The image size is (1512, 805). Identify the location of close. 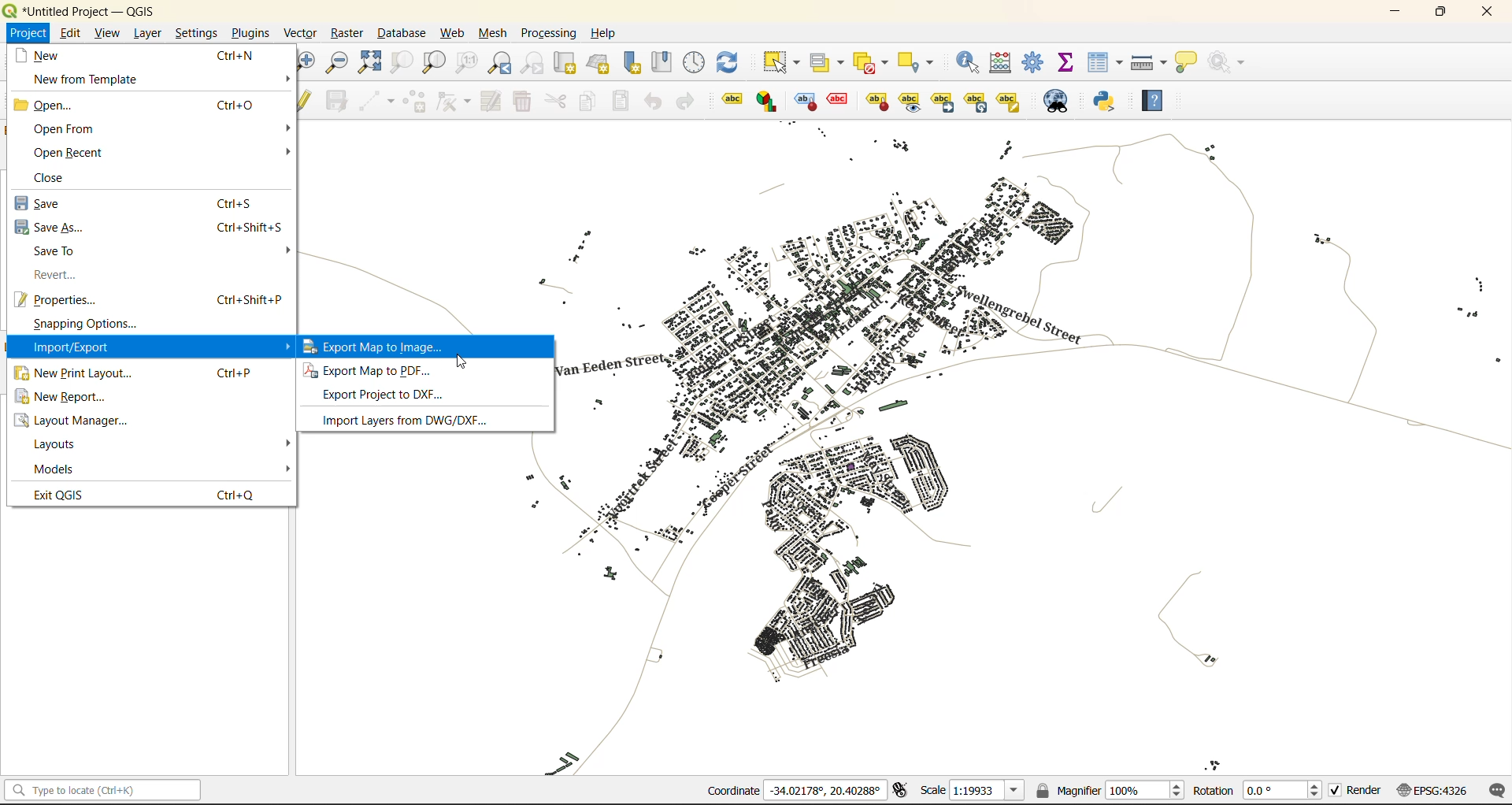
(1487, 11).